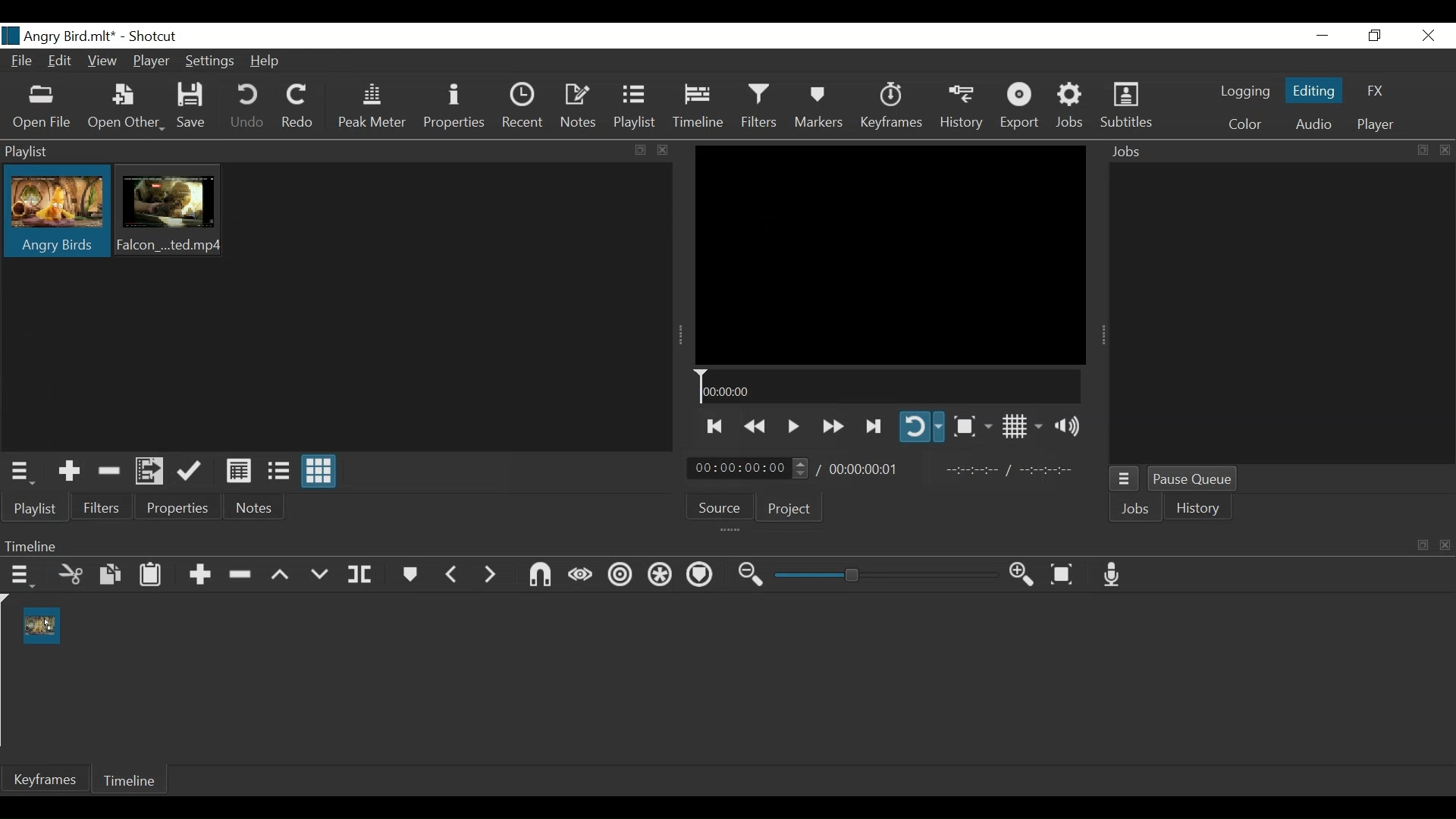 The image size is (1456, 819). What do you see at coordinates (212, 61) in the screenshot?
I see `Settings` at bounding box center [212, 61].